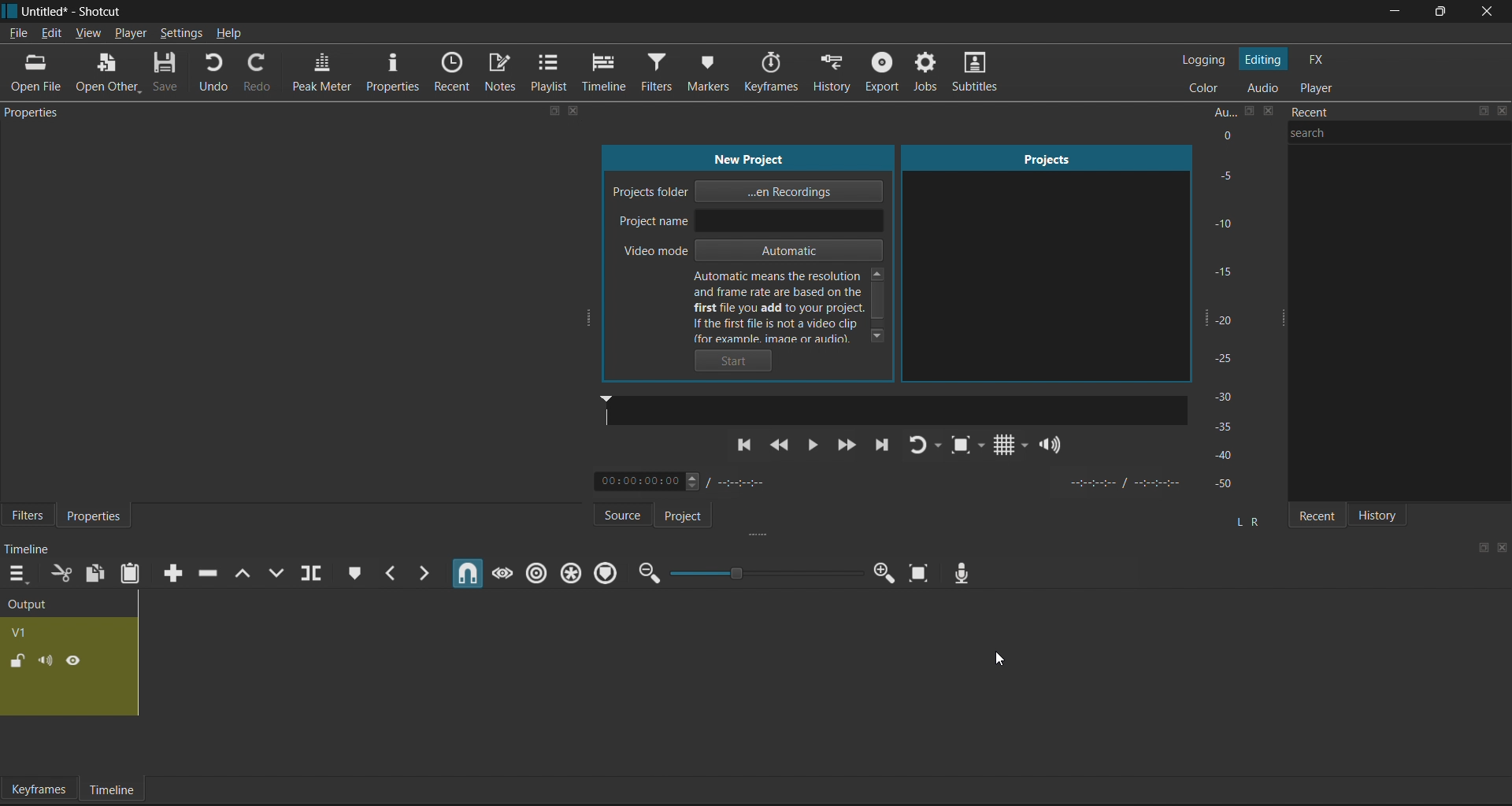 The image size is (1512, 806). I want to click on Ripple delete, so click(212, 570).